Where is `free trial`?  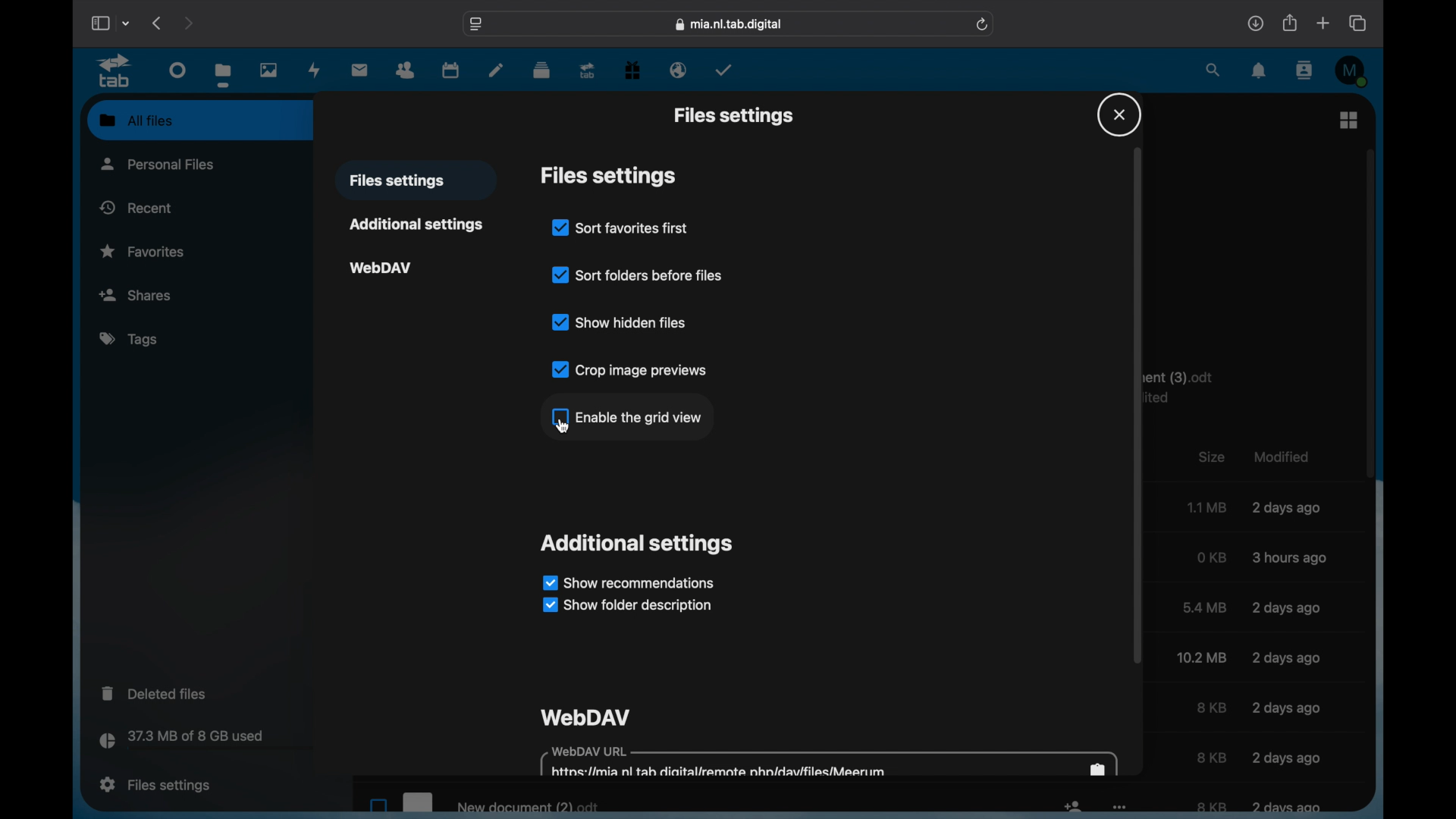 free trial is located at coordinates (632, 69).